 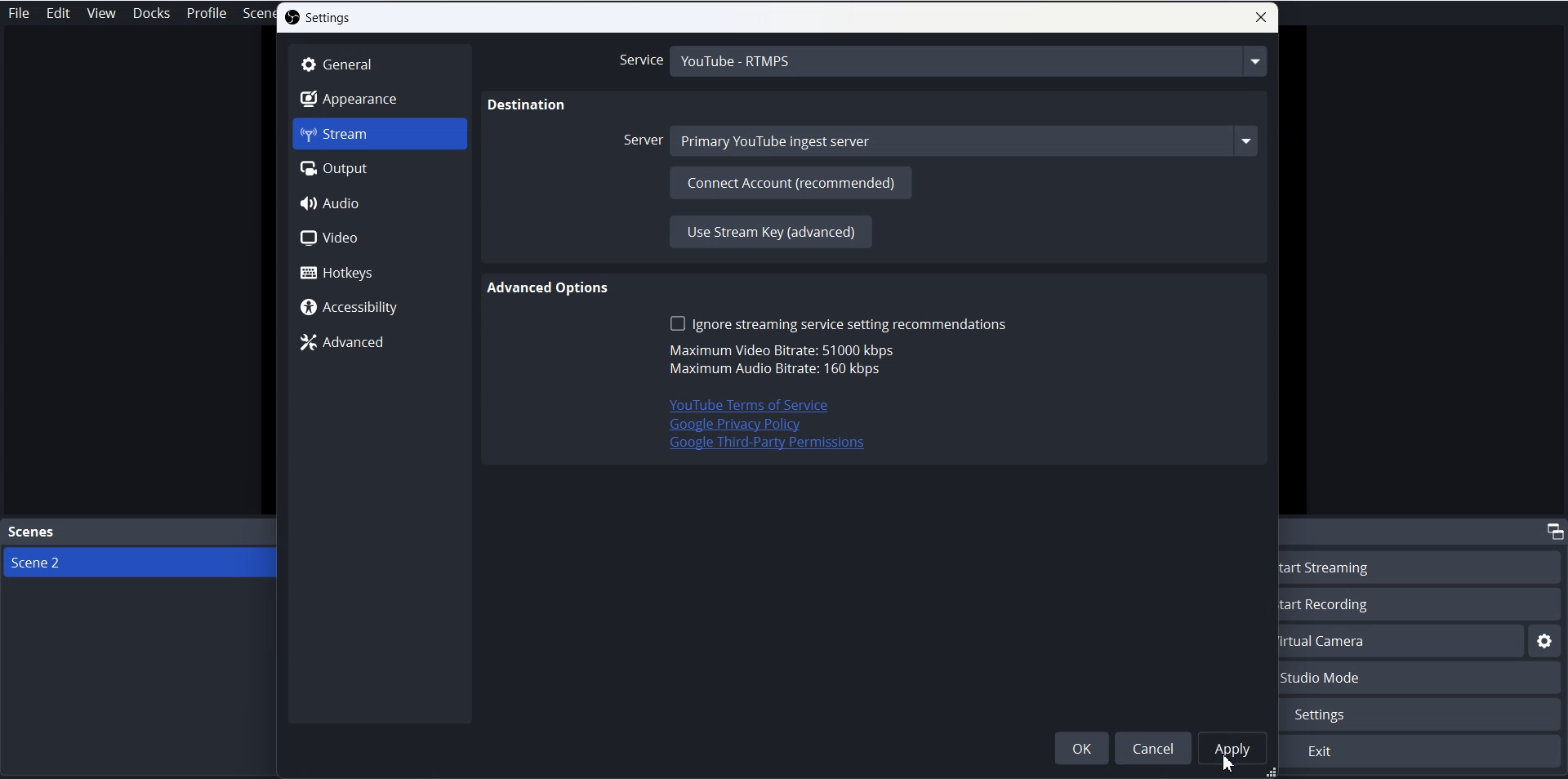 I want to click on YouTube Terms of service, so click(x=738, y=405).